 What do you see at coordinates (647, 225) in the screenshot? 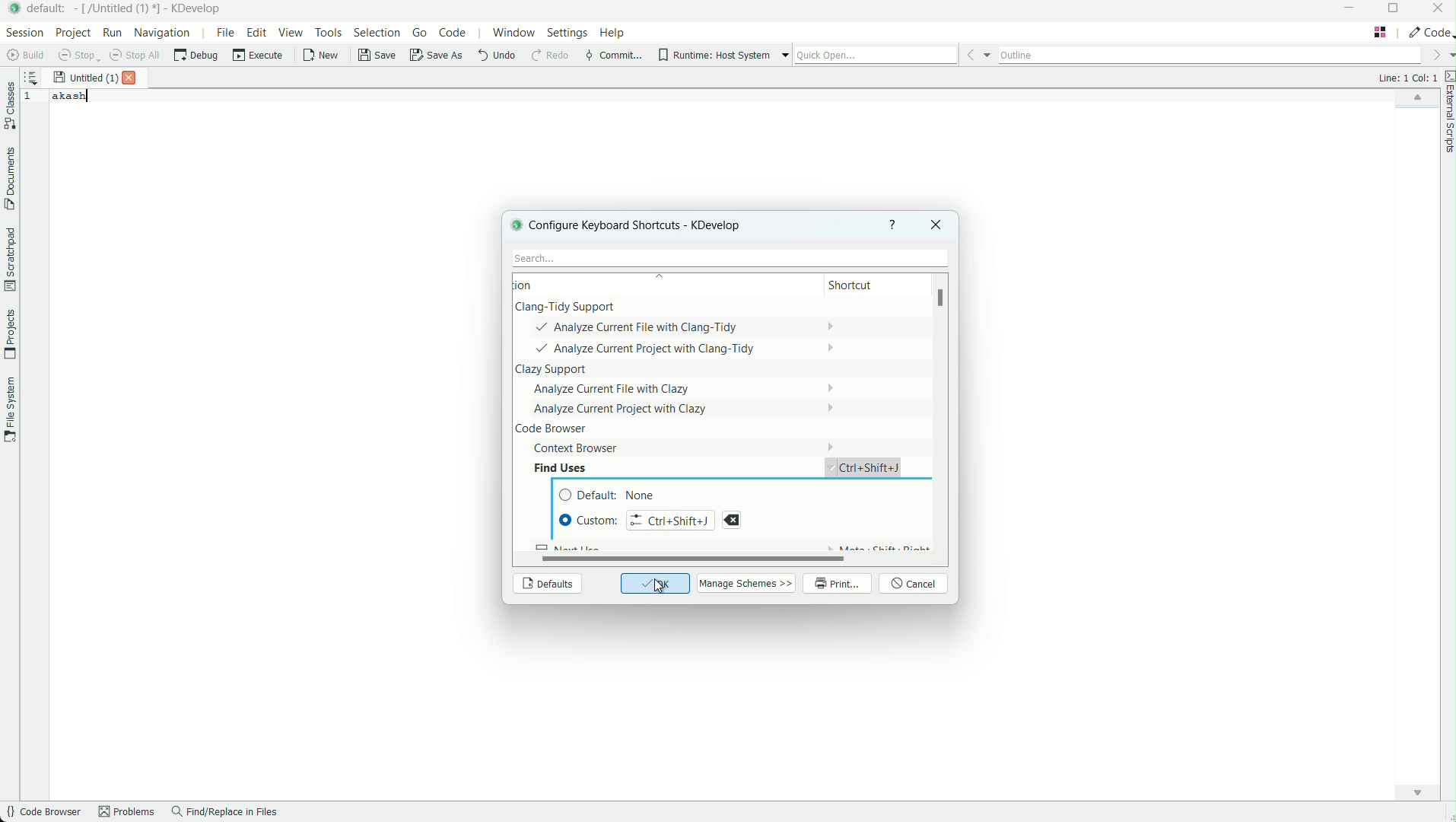
I see `configure keyboard shortcuts` at bounding box center [647, 225].